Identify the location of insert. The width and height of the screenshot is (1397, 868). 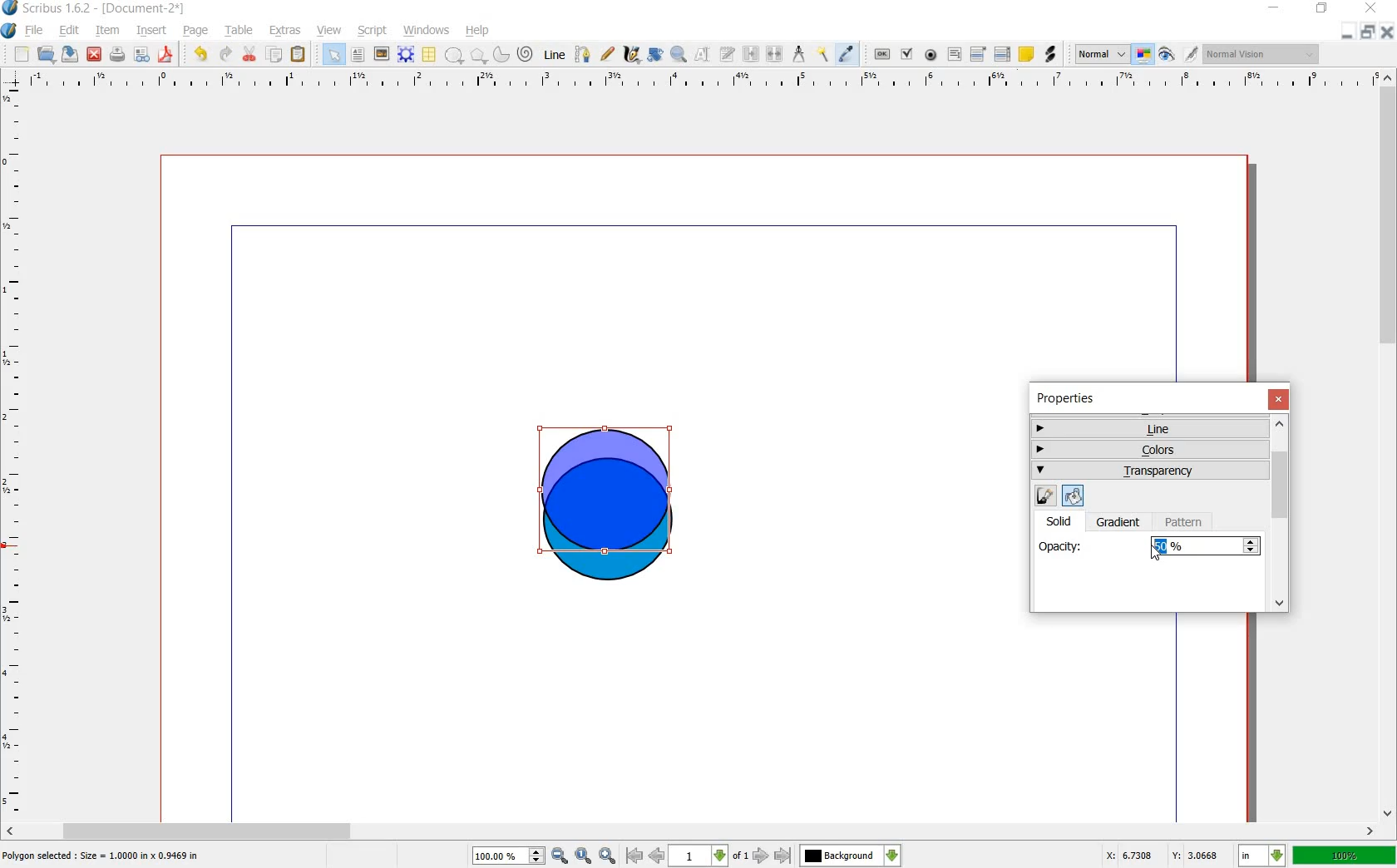
(152, 32).